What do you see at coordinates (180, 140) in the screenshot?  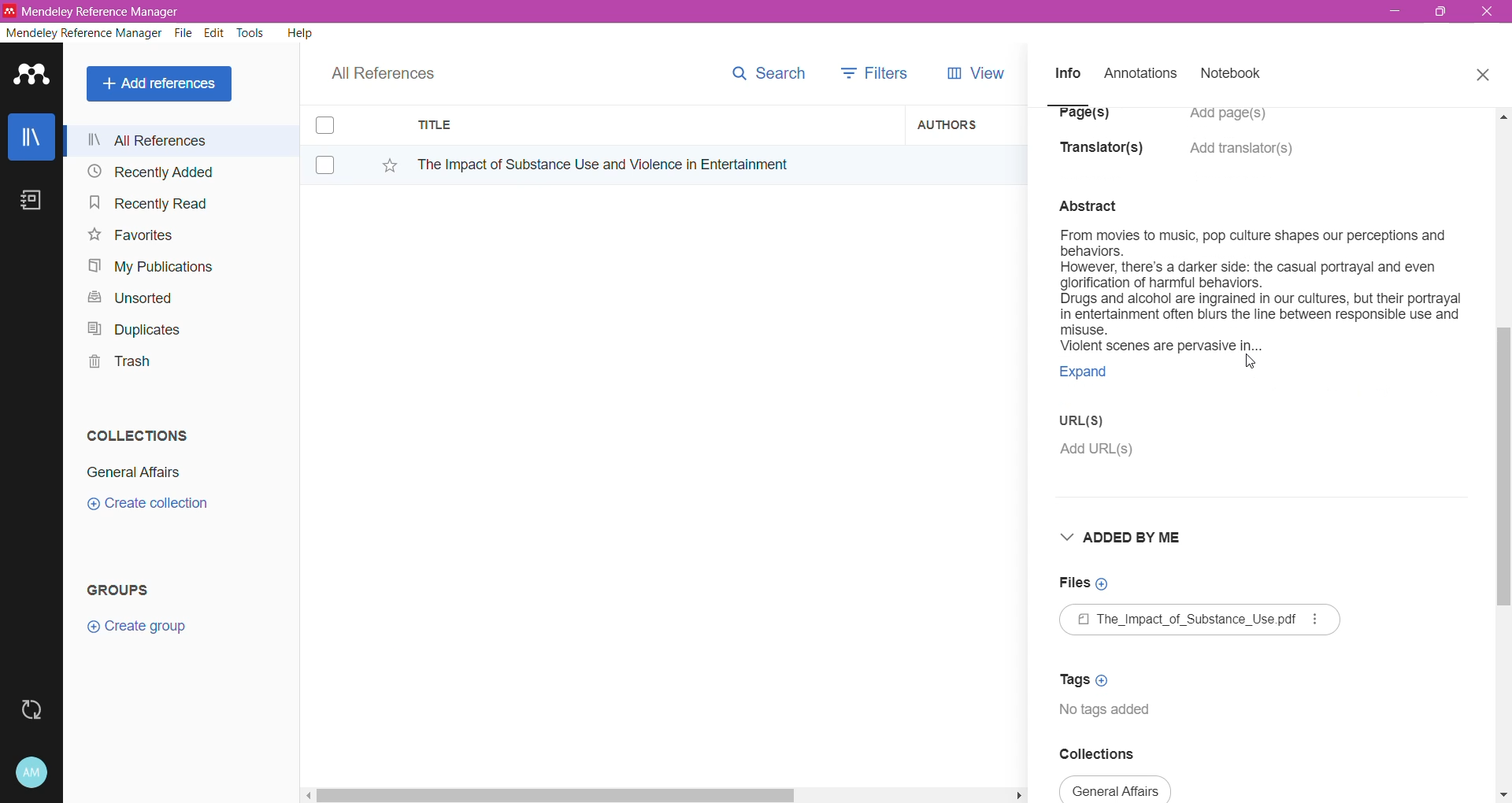 I see `All References` at bounding box center [180, 140].